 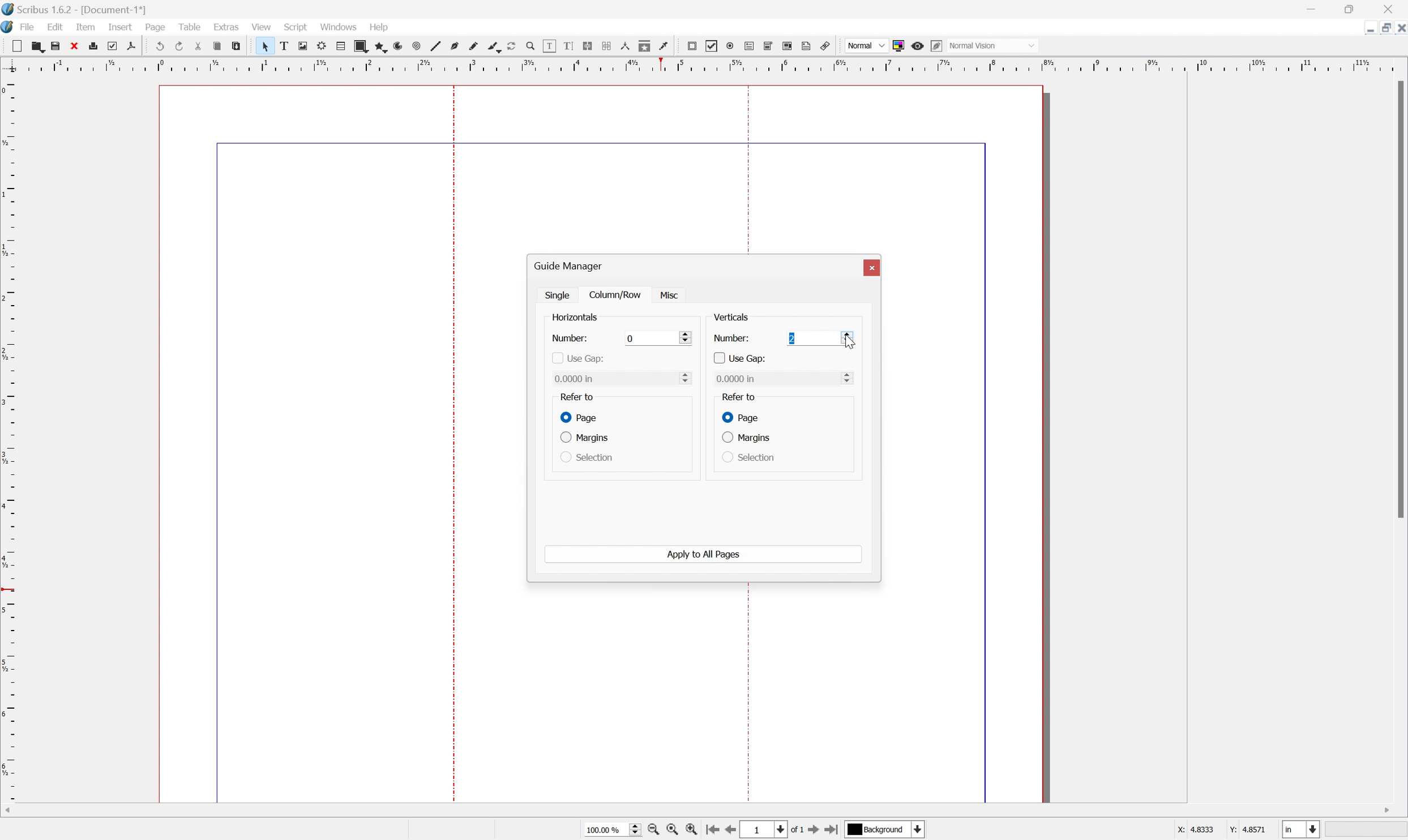 What do you see at coordinates (671, 830) in the screenshot?
I see `zoom out` at bounding box center [671, 830].